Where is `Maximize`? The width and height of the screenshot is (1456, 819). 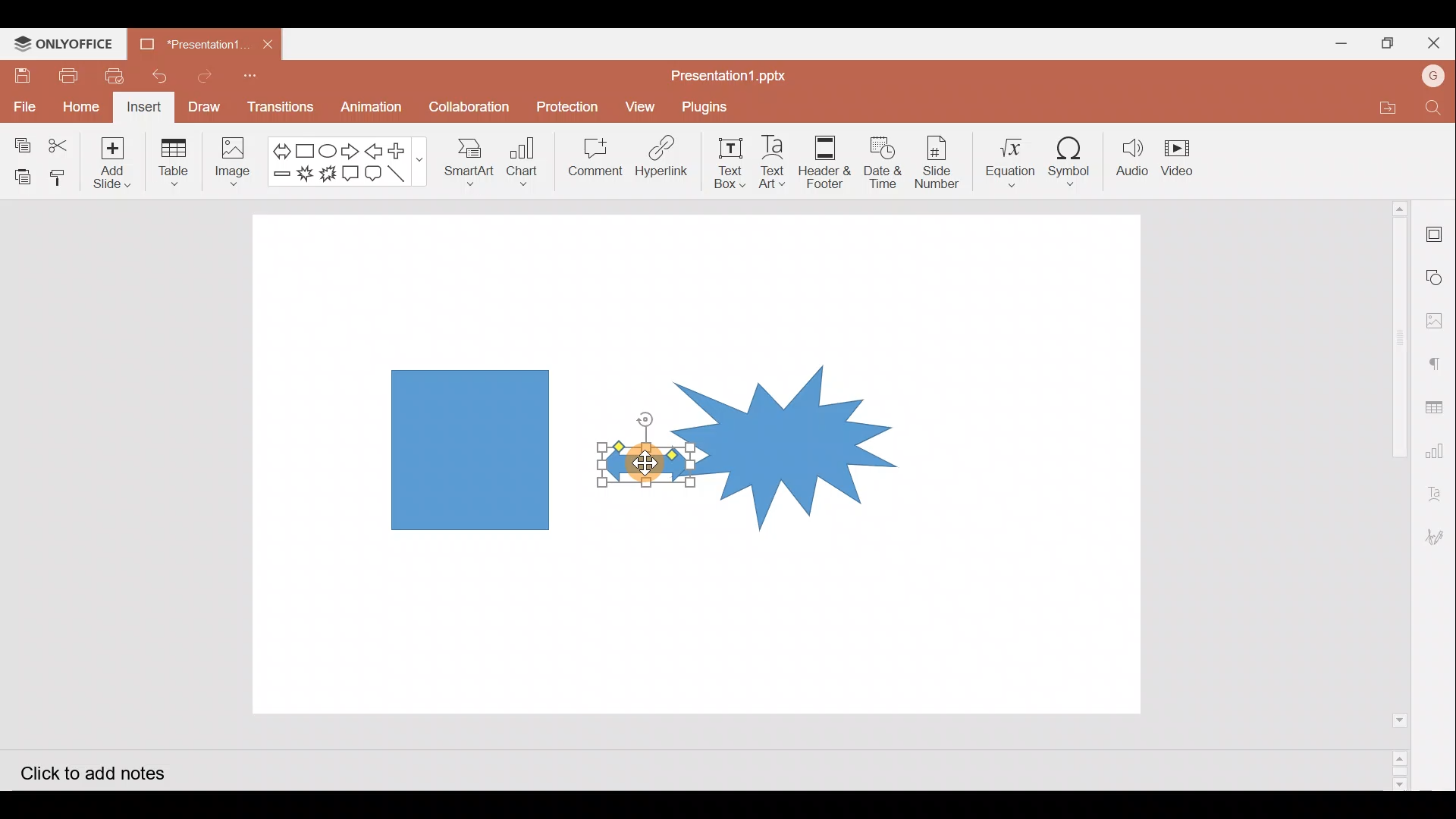
Maximize is located at coordinates (1384, 41).